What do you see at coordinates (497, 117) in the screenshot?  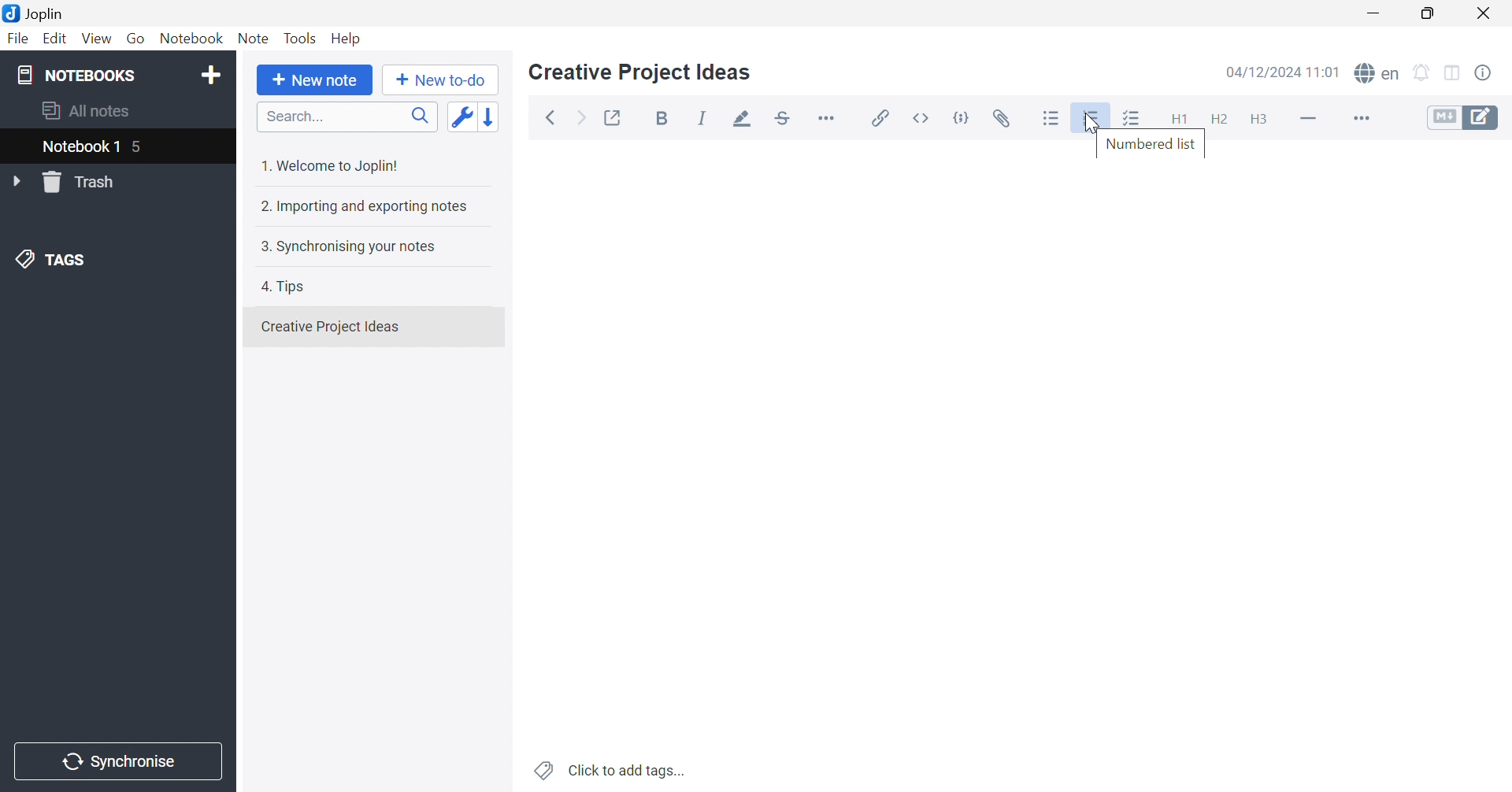 I see `Reverse sort order` at bounding box center [497, 117].